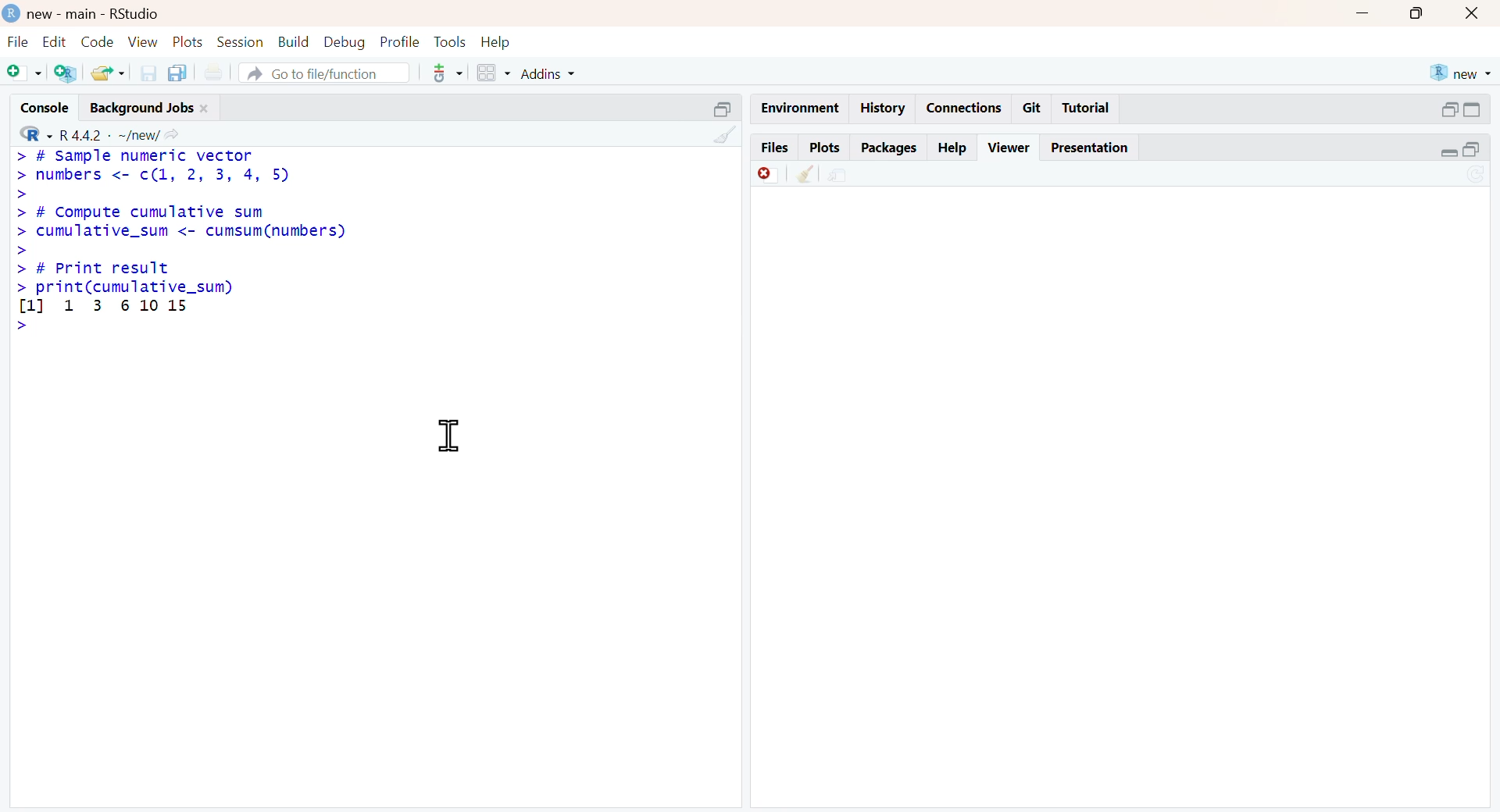 The image size is (1500, 812). Describe the element at coordinates (775, 148) in the screenshot. I see `Files` at that location.